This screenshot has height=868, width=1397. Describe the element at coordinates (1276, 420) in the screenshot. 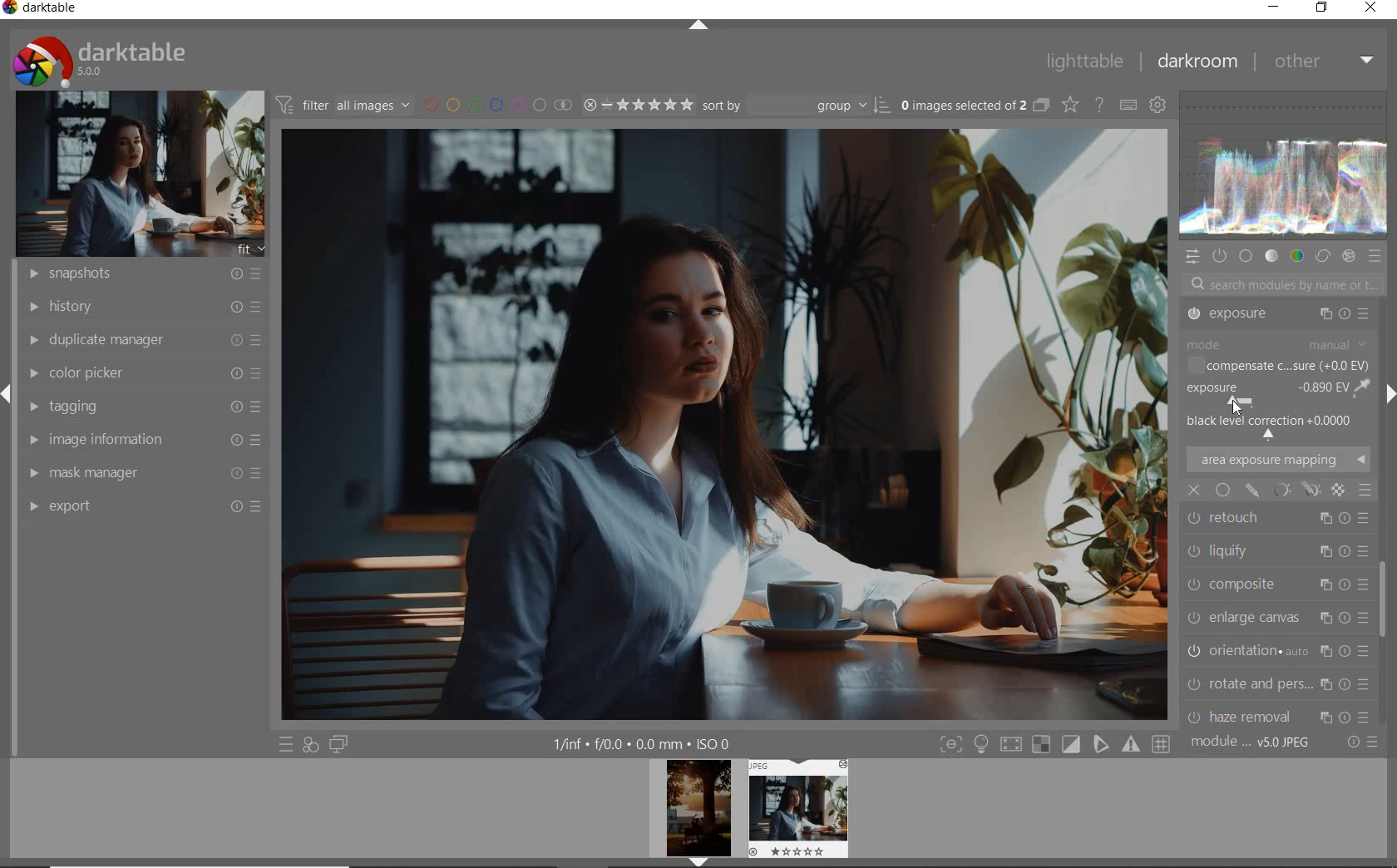

I see `RETOUCH` at that location.